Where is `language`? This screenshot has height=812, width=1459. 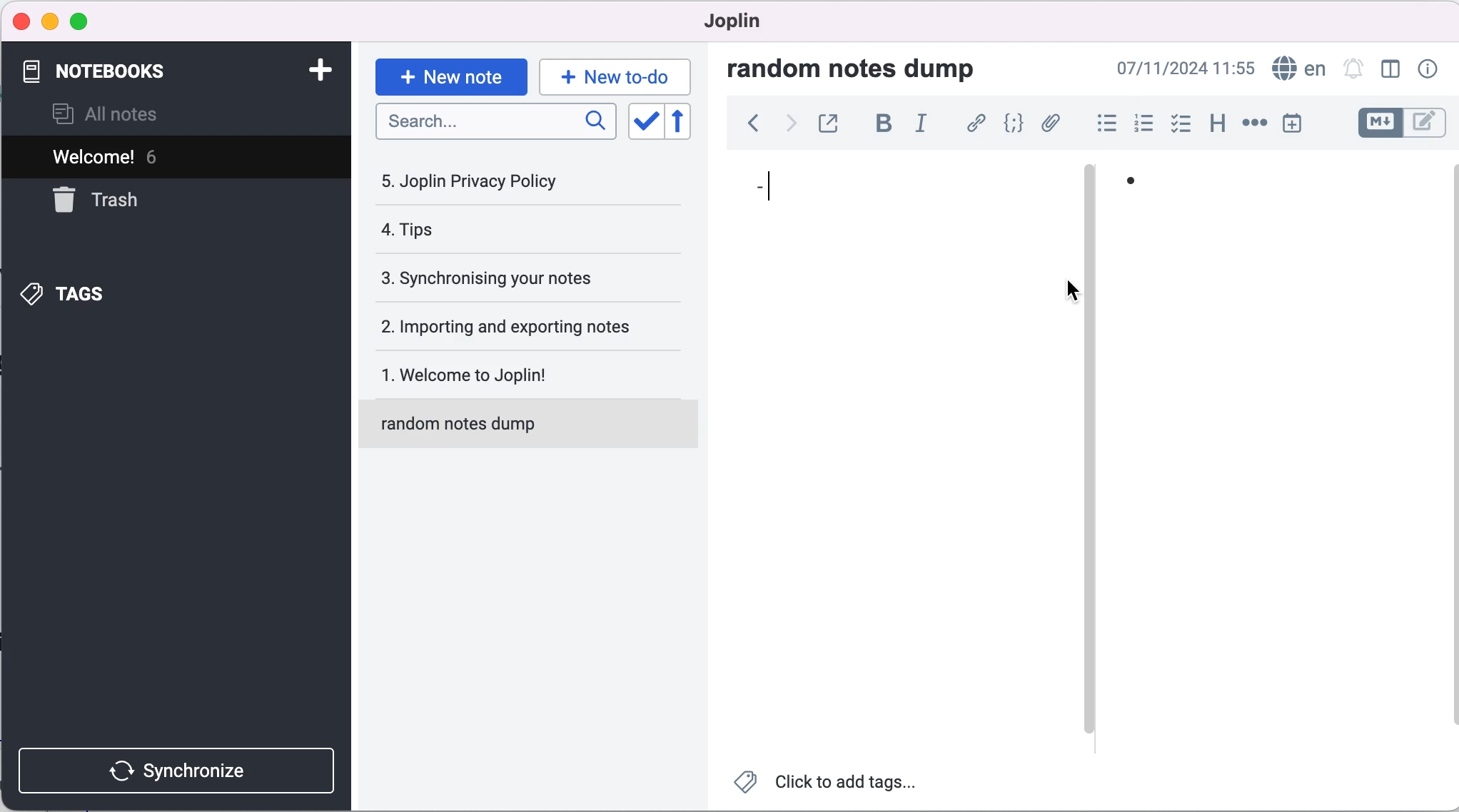
language is located at coordinates (1298, 67).